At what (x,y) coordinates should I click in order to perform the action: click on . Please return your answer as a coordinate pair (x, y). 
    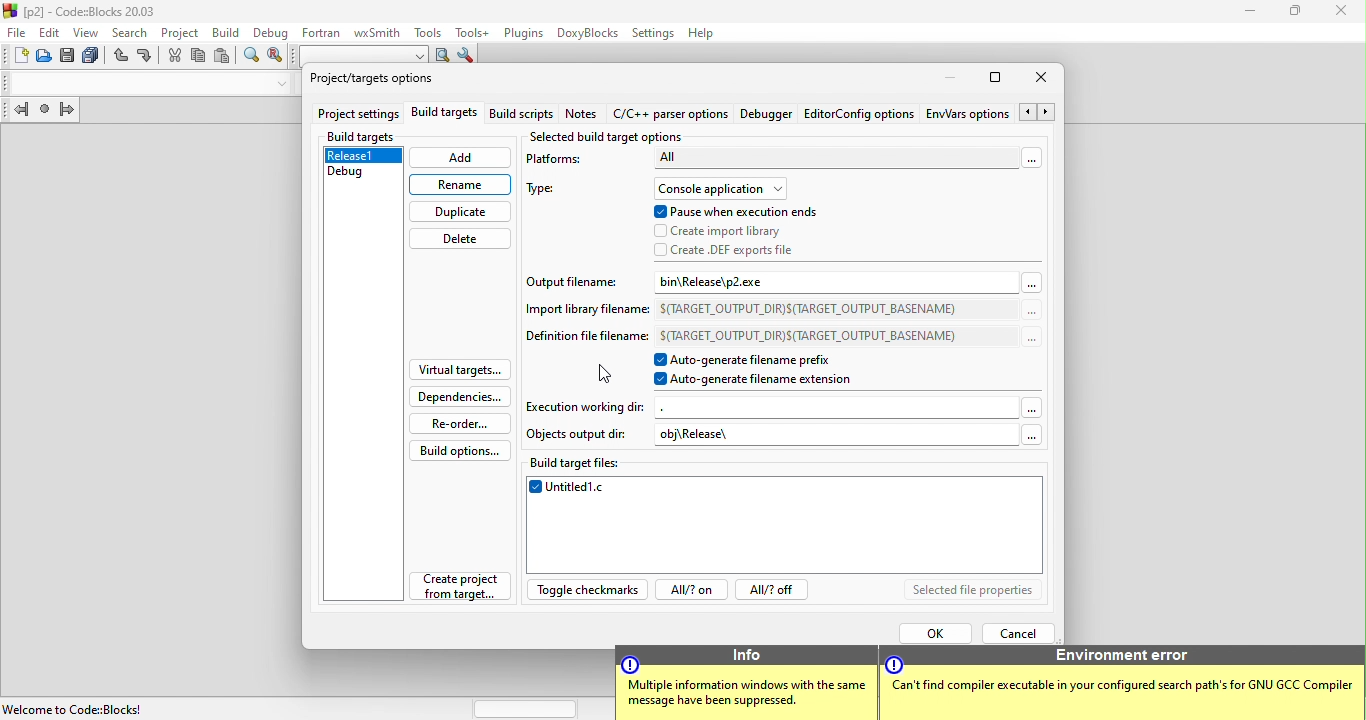
    Looking at the image, I should click on (1124, 689).